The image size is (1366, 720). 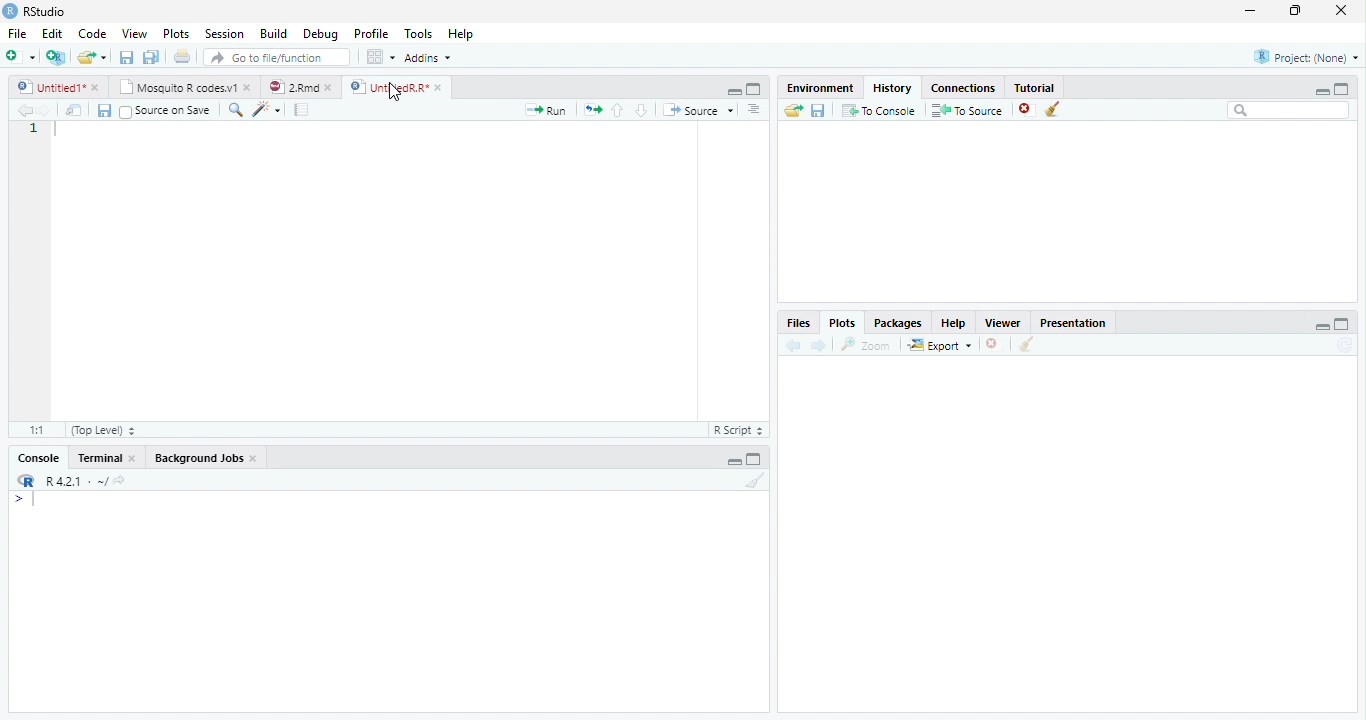 What do you see at coordinates (51, 33) in the screenshot?
I see `Edit` at bounding box center [51, 33].